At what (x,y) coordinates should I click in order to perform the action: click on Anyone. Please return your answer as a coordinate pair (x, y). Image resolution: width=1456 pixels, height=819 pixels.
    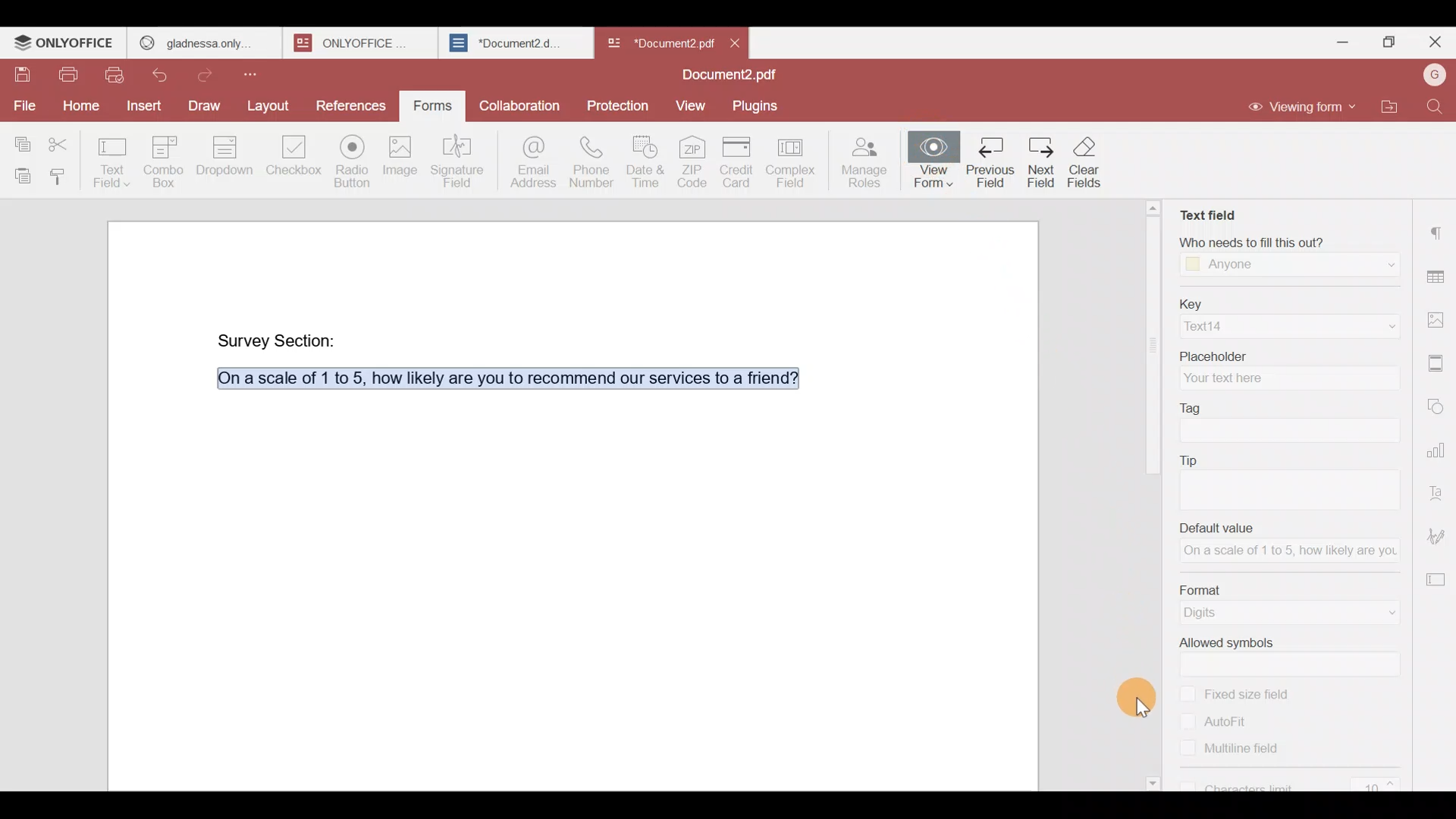
    Looking at the image, I should click on (1289, 265).